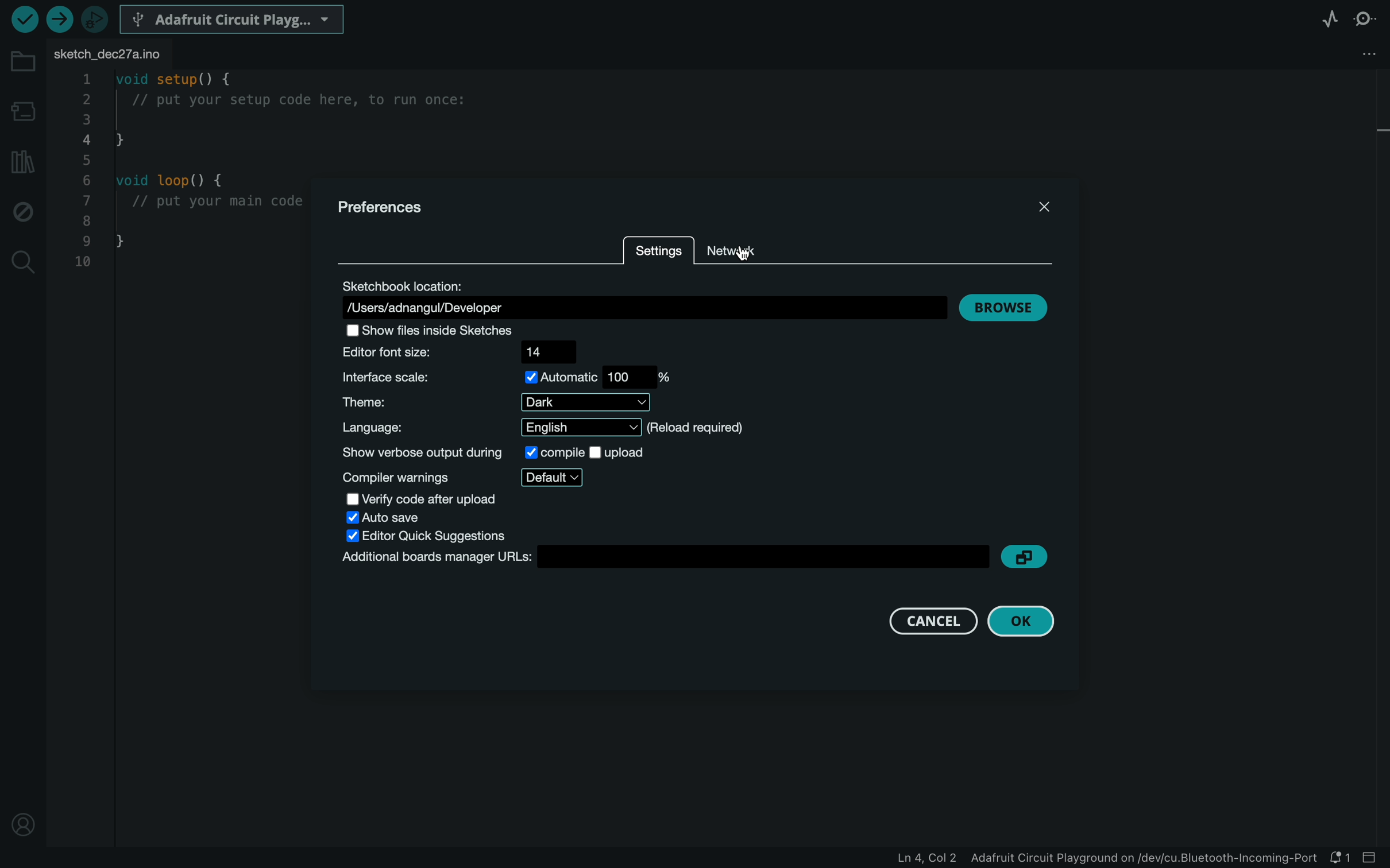 The image size is (1390, 868). Describe the element at coordinates (464, 353) in the screenshot. I see `font size` at that location.